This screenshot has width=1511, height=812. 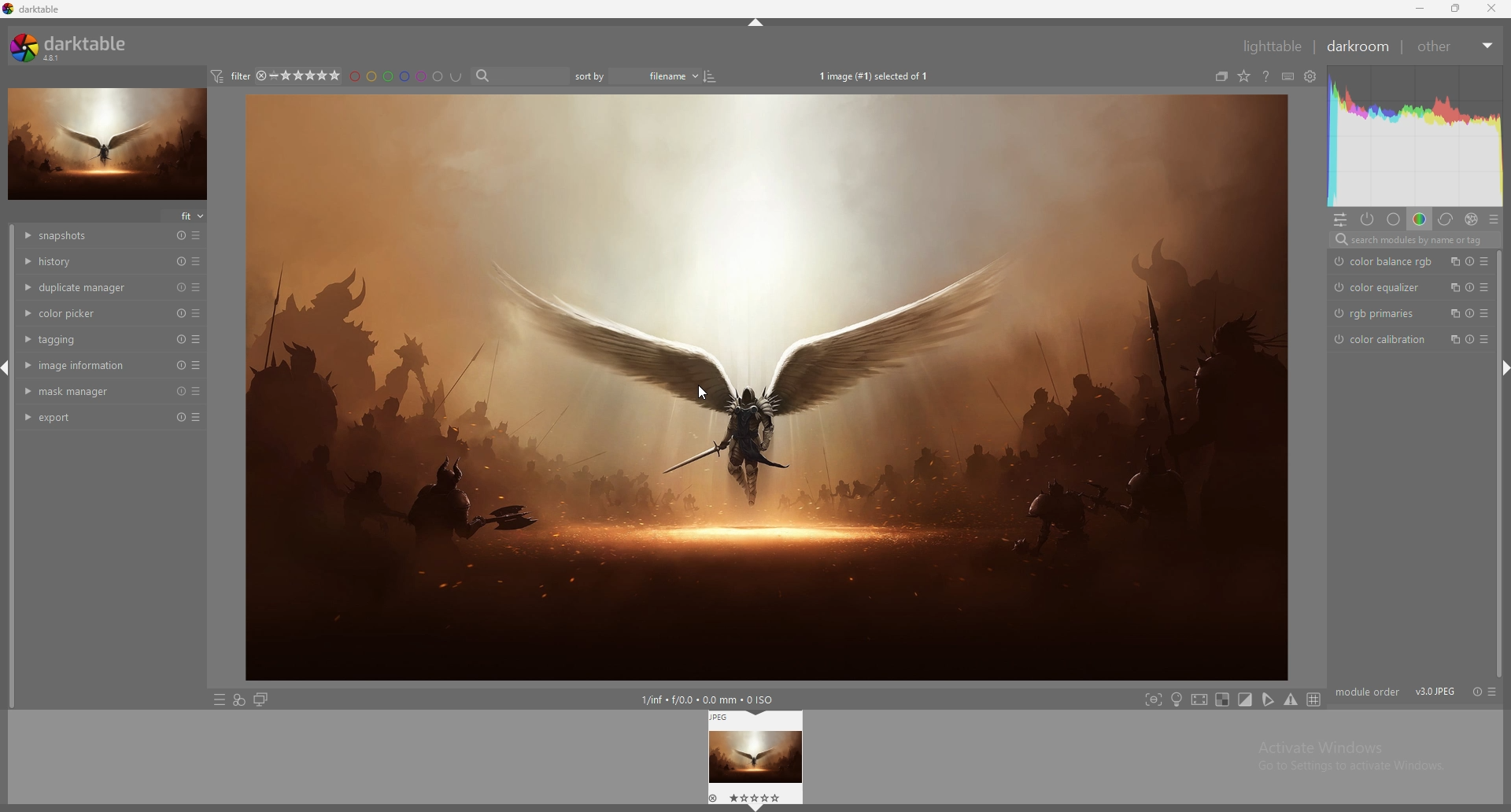 I want to click on rgb primaries, so click(x=1381, y=313).